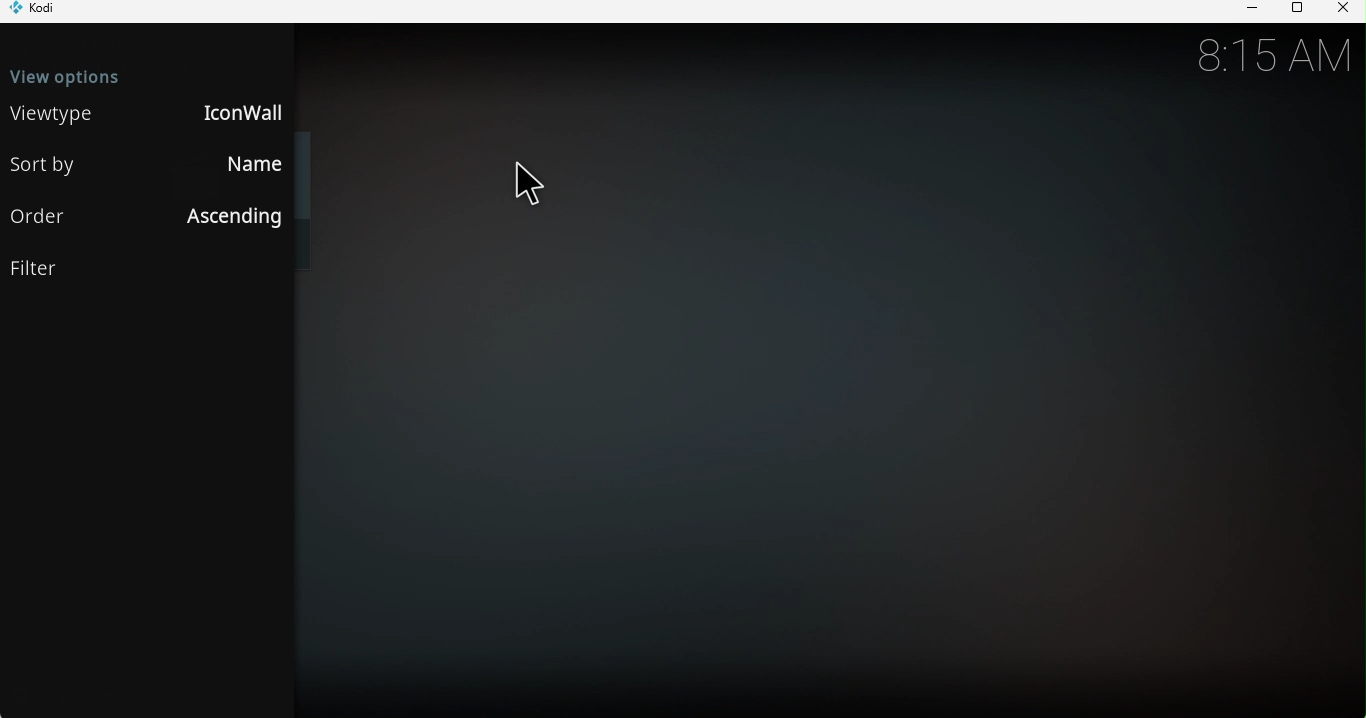 The image size is (1366, 718). What do you see at coordinates (150, 73) in the screenshot?
I see `View options` at bounding box center [150, 73].